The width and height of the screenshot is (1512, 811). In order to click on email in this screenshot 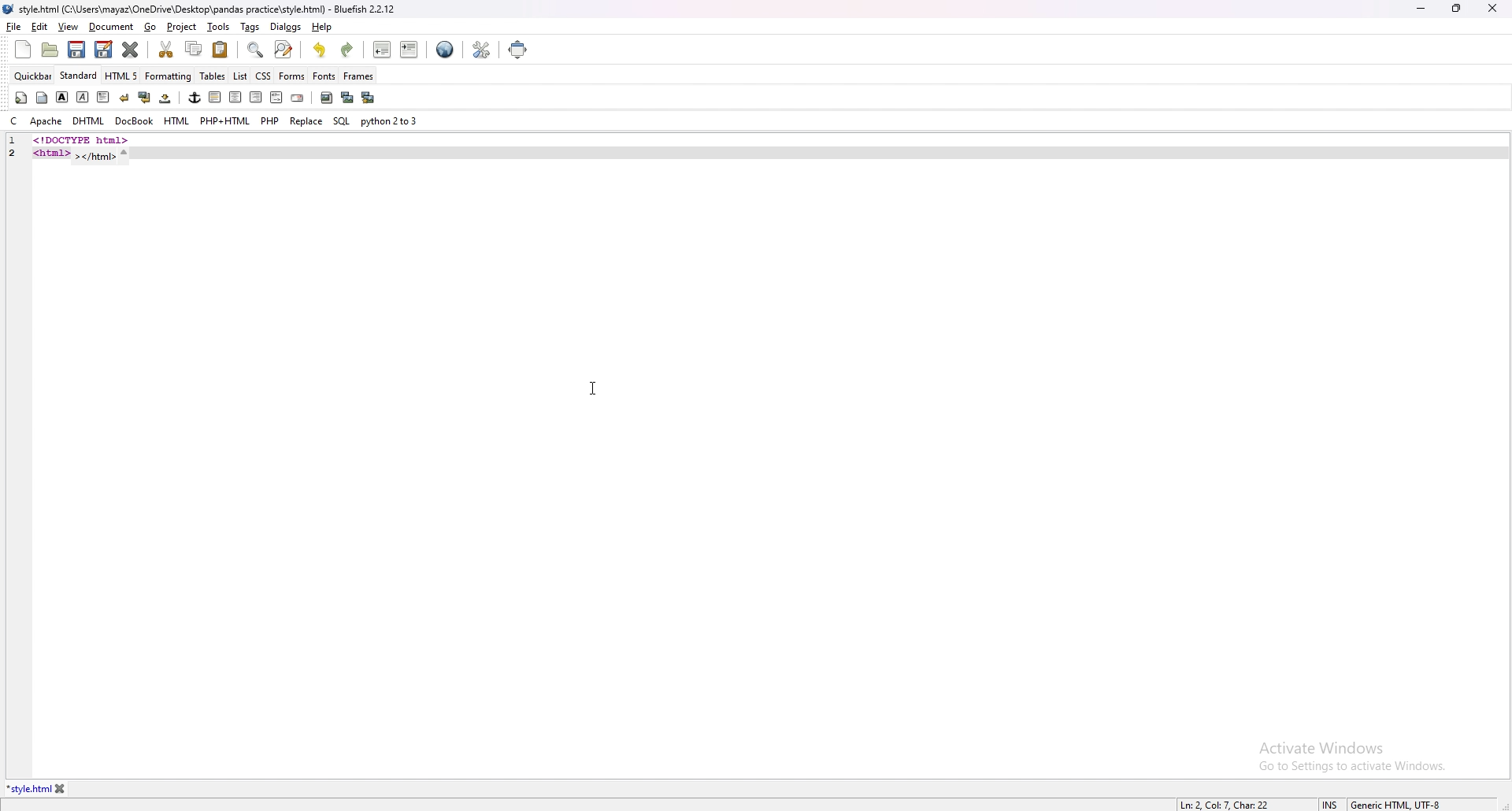, I will do `click(297, 98)`.